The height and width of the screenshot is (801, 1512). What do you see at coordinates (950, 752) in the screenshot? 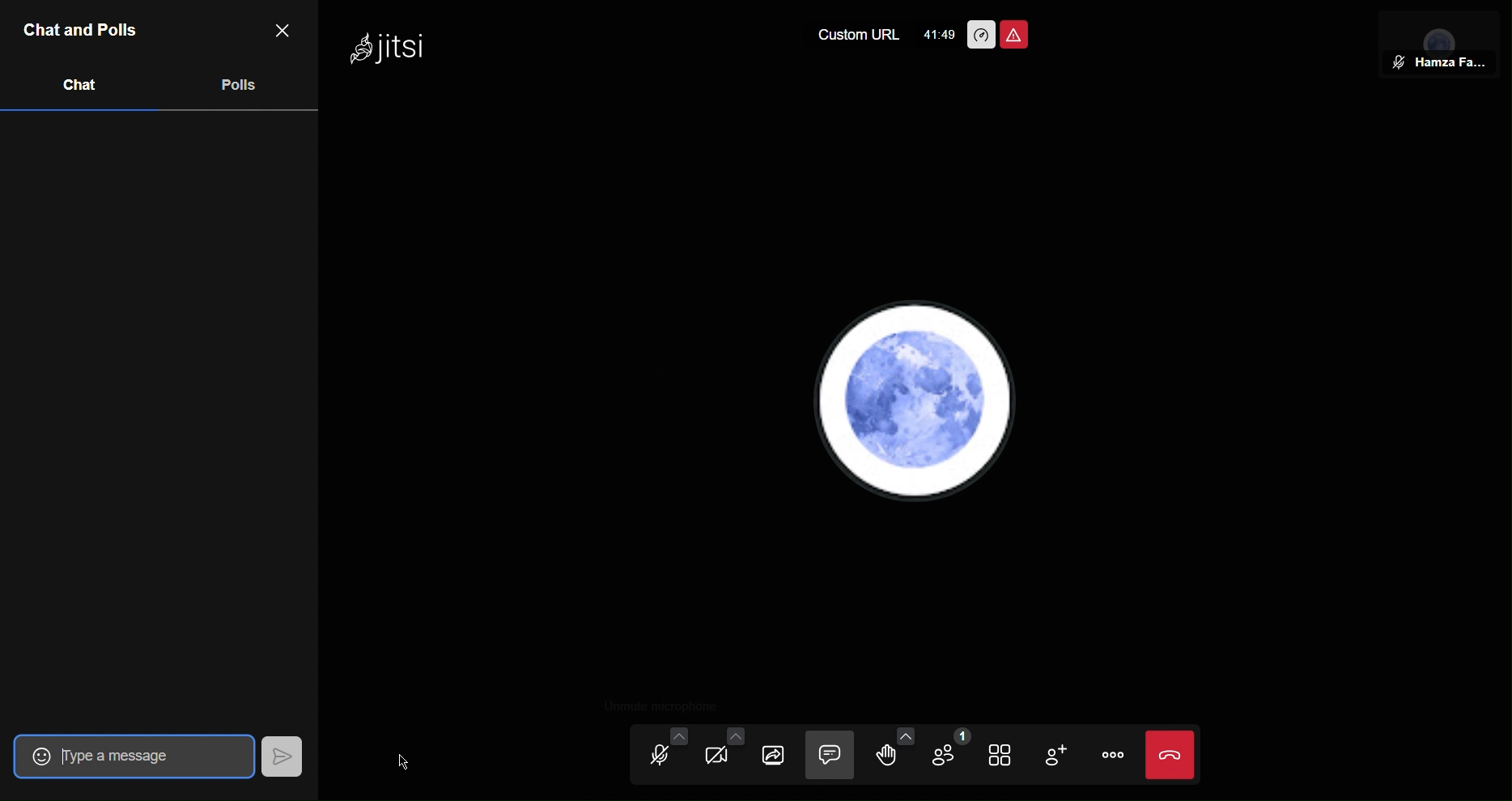
I see `Participants` at bounding box center [950, 752].